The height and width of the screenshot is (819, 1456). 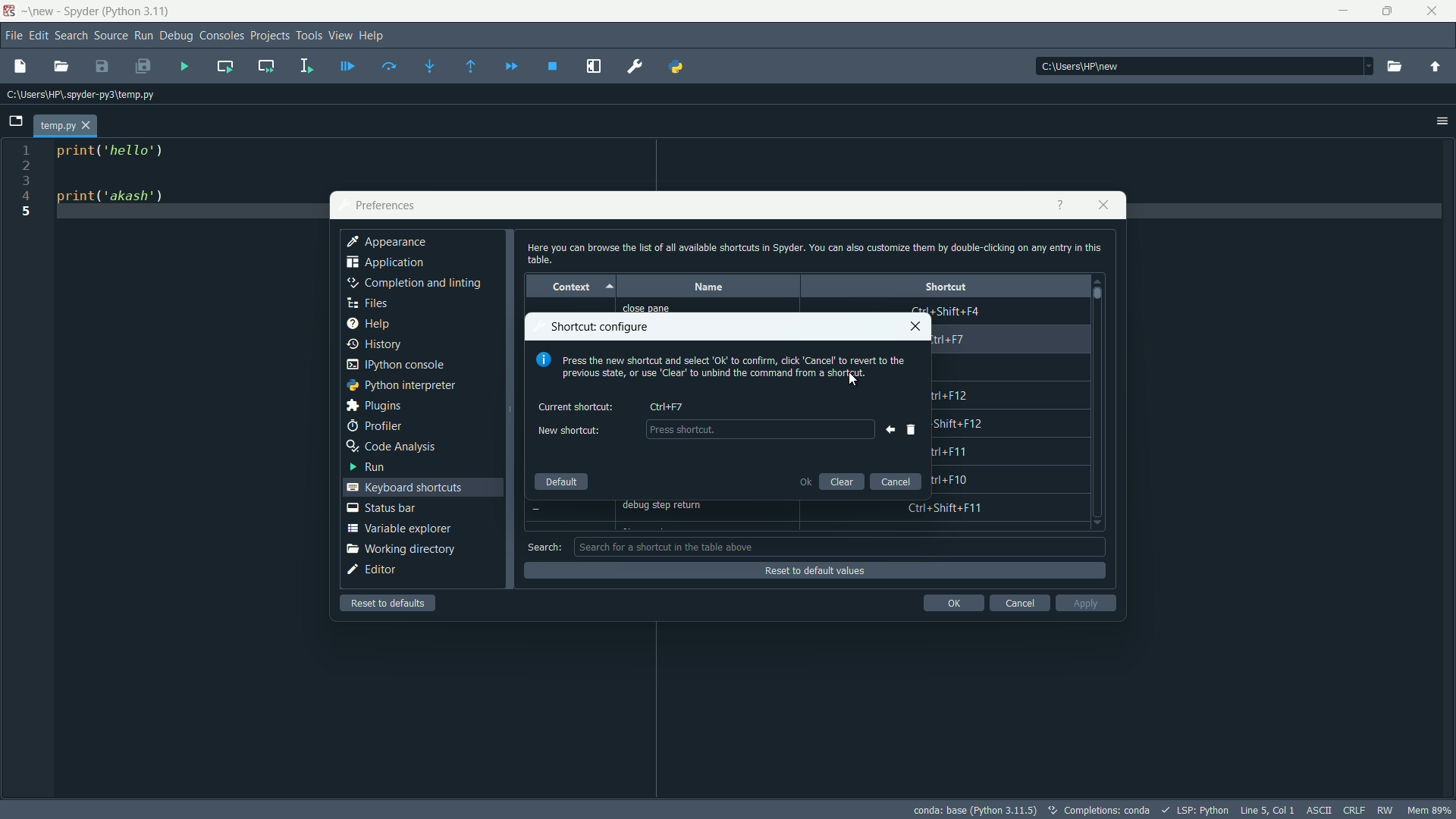 What do you see at coordinates (266, 65) in the screenshot?
I see `run current cell and go to next one` at bounding box center [266, 65].